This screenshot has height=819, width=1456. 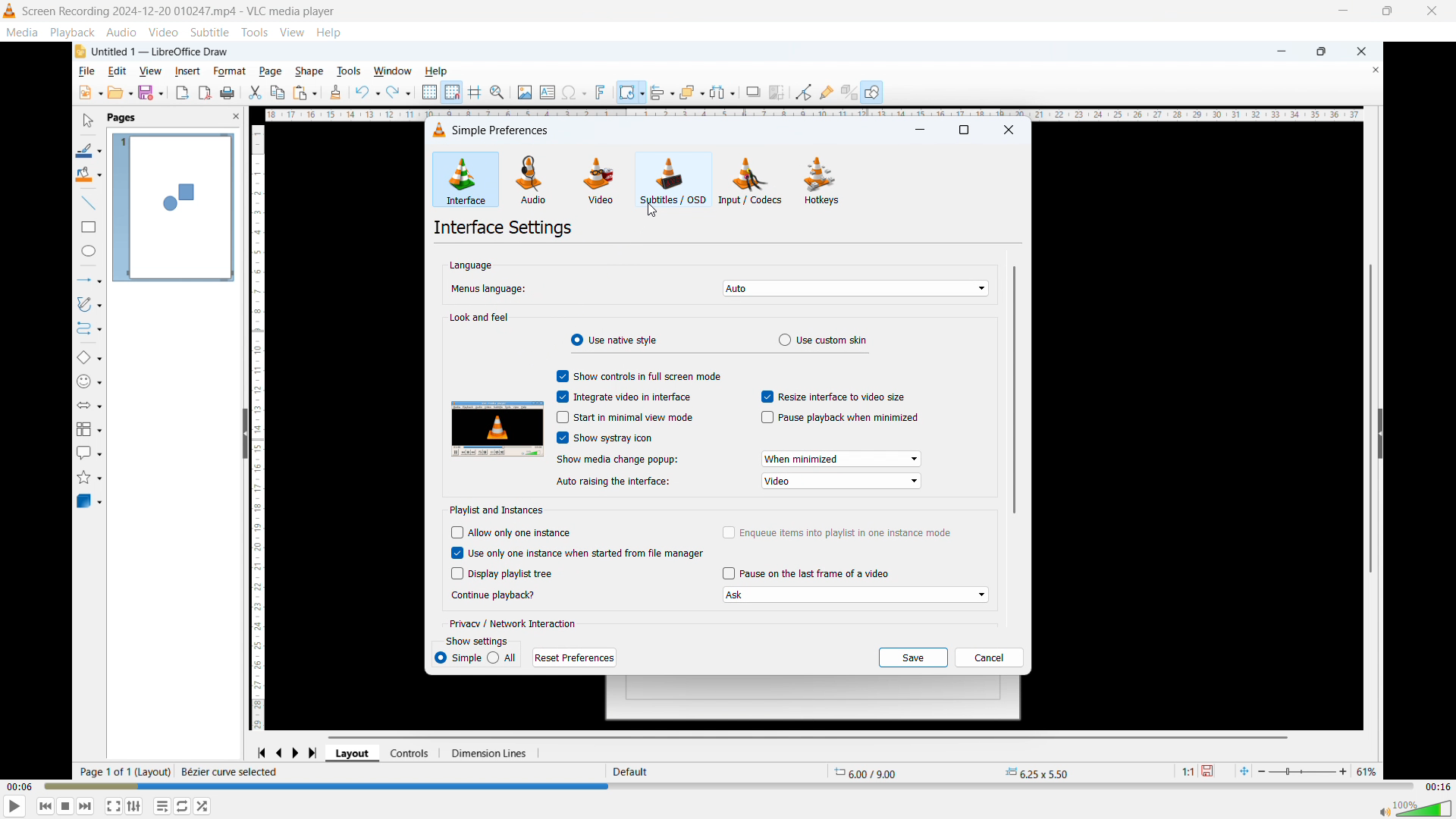 What do you see at coordinates (575, 657) in the screenshot?
I see `Reset preferences` at bounding box center [575, 657].